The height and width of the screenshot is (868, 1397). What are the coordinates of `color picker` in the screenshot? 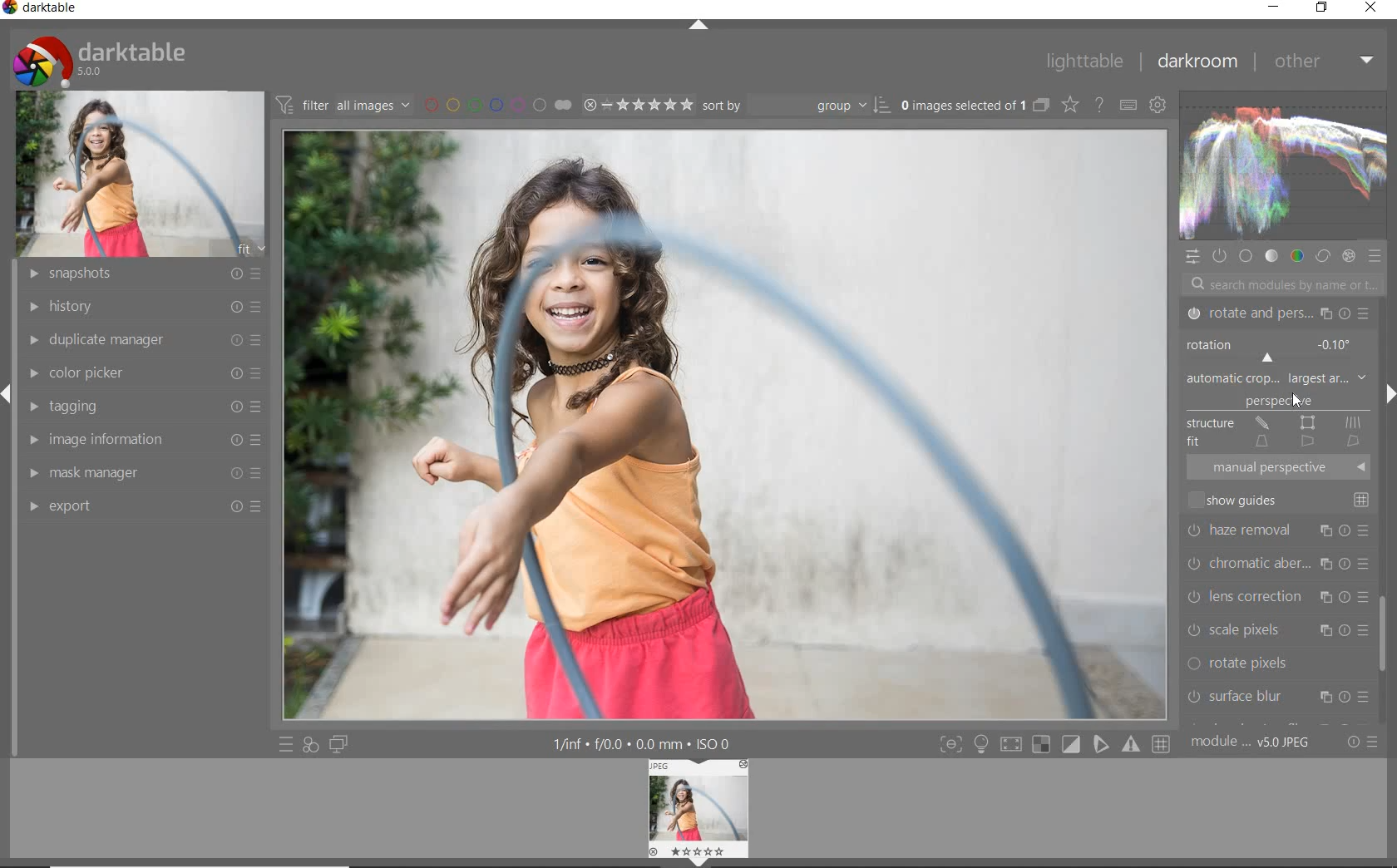 It's located at (142, 372).